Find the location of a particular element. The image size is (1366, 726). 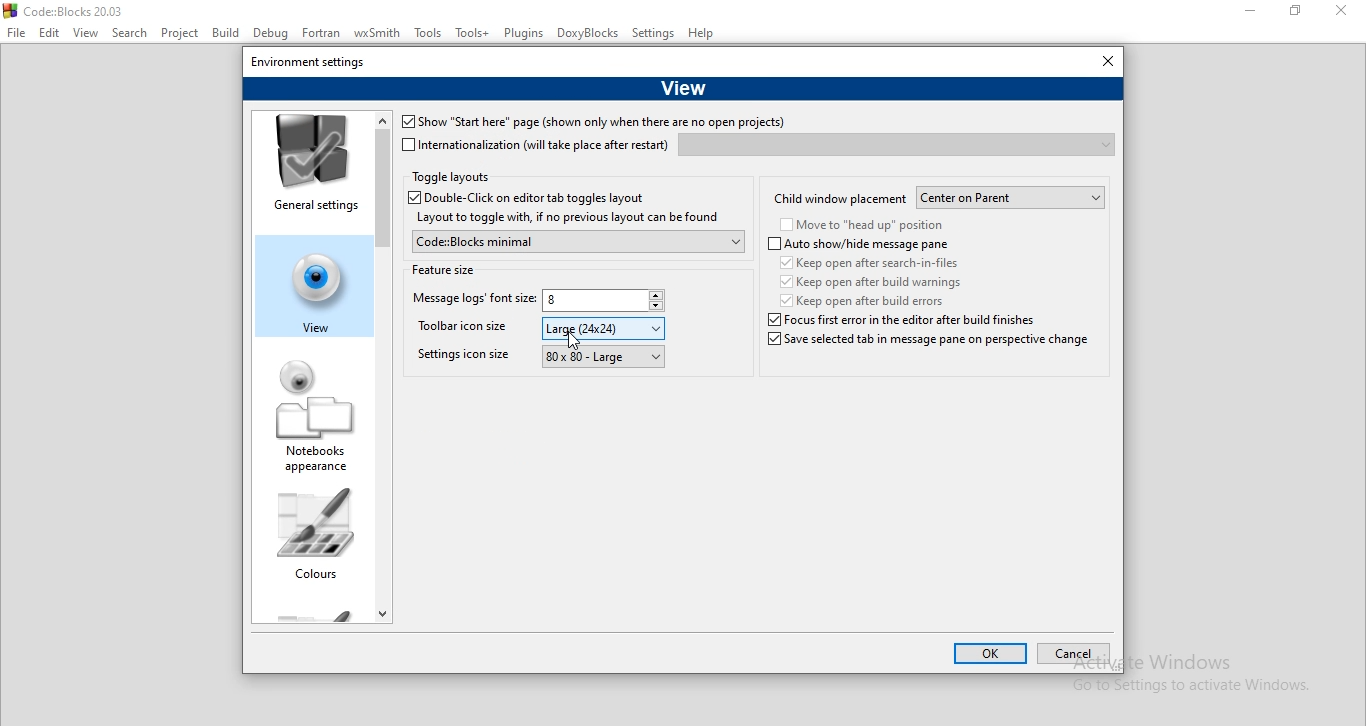

8 is located at coordinates (605, 302).